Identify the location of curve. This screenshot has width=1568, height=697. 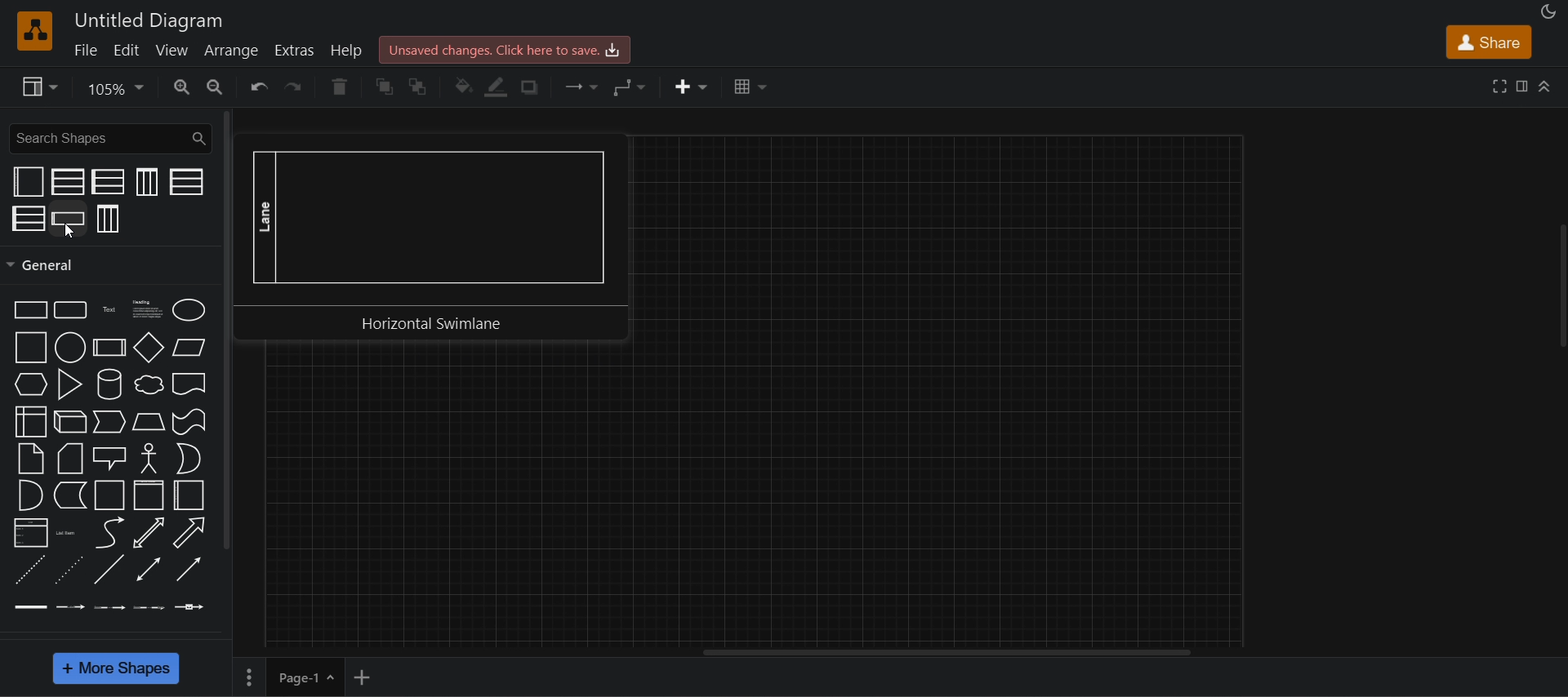
(106, 532).